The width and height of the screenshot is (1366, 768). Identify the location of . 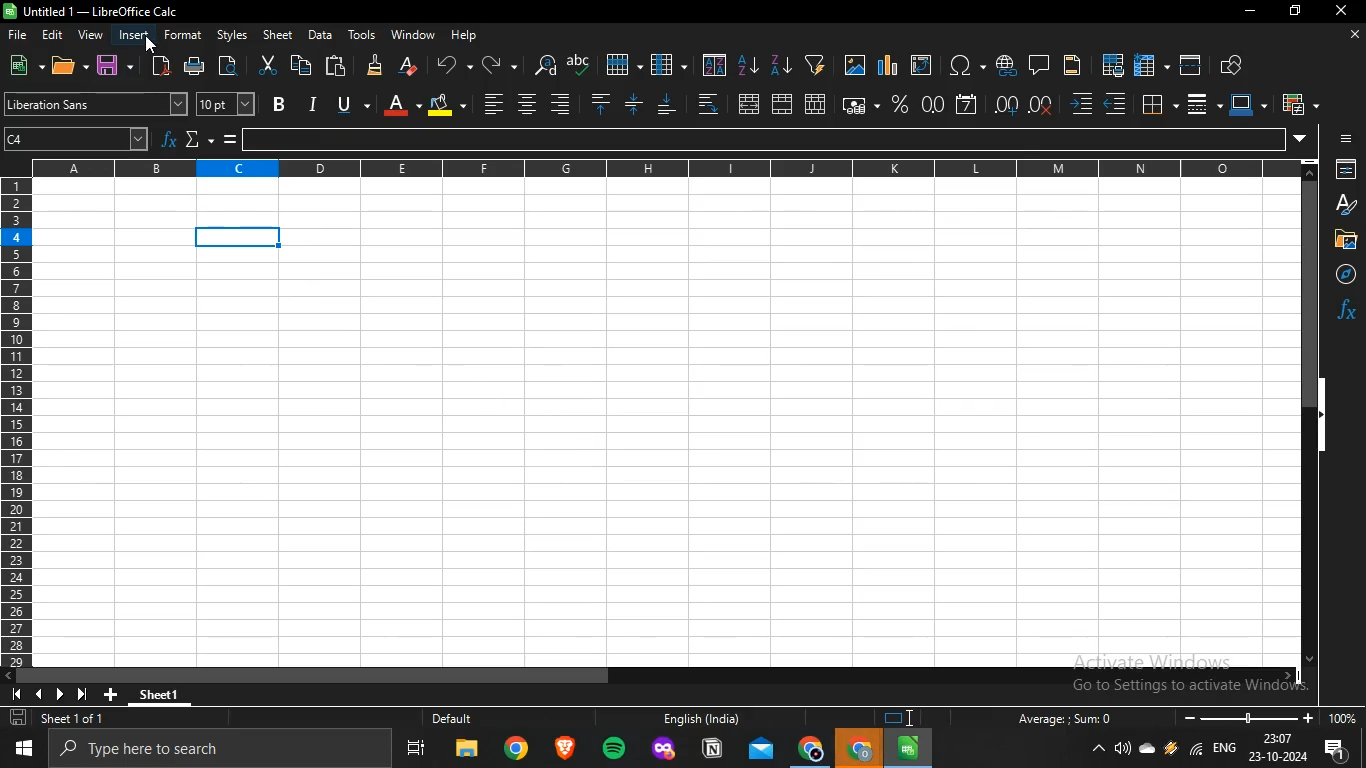
(1343, 239).